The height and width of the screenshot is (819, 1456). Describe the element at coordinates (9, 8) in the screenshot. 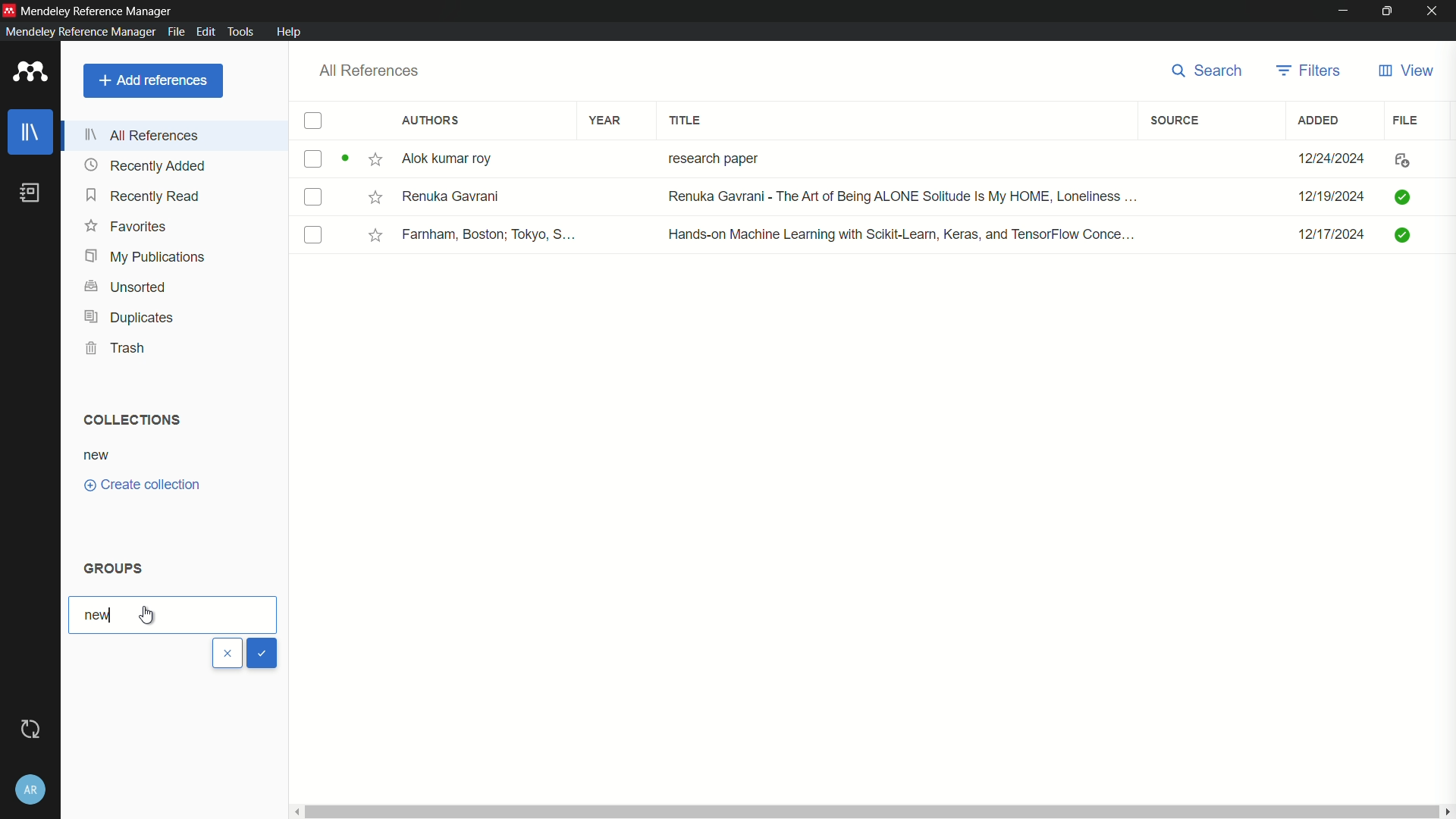

I see `app icon` at that location.